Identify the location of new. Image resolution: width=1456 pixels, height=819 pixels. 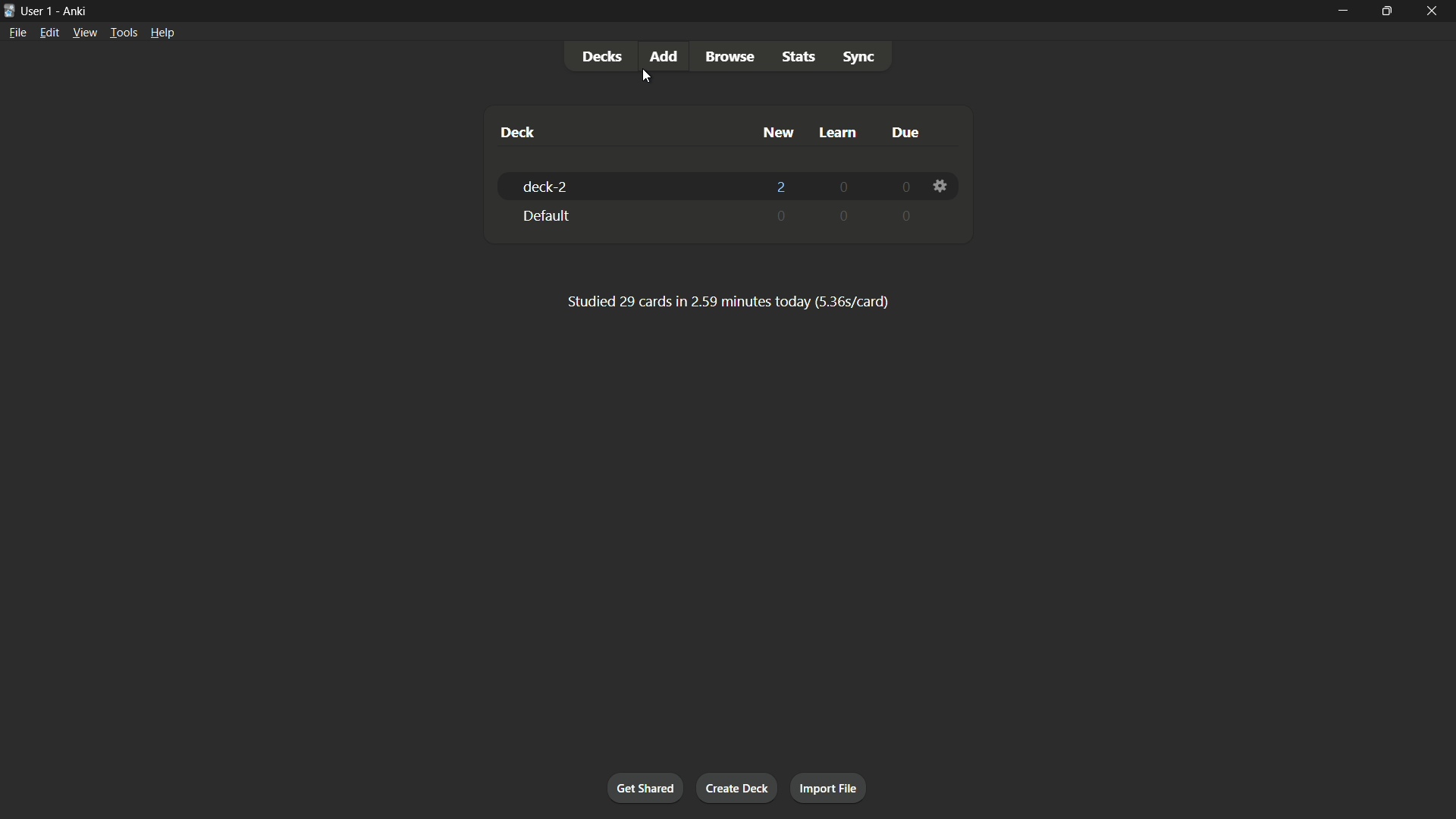
(780, 133).